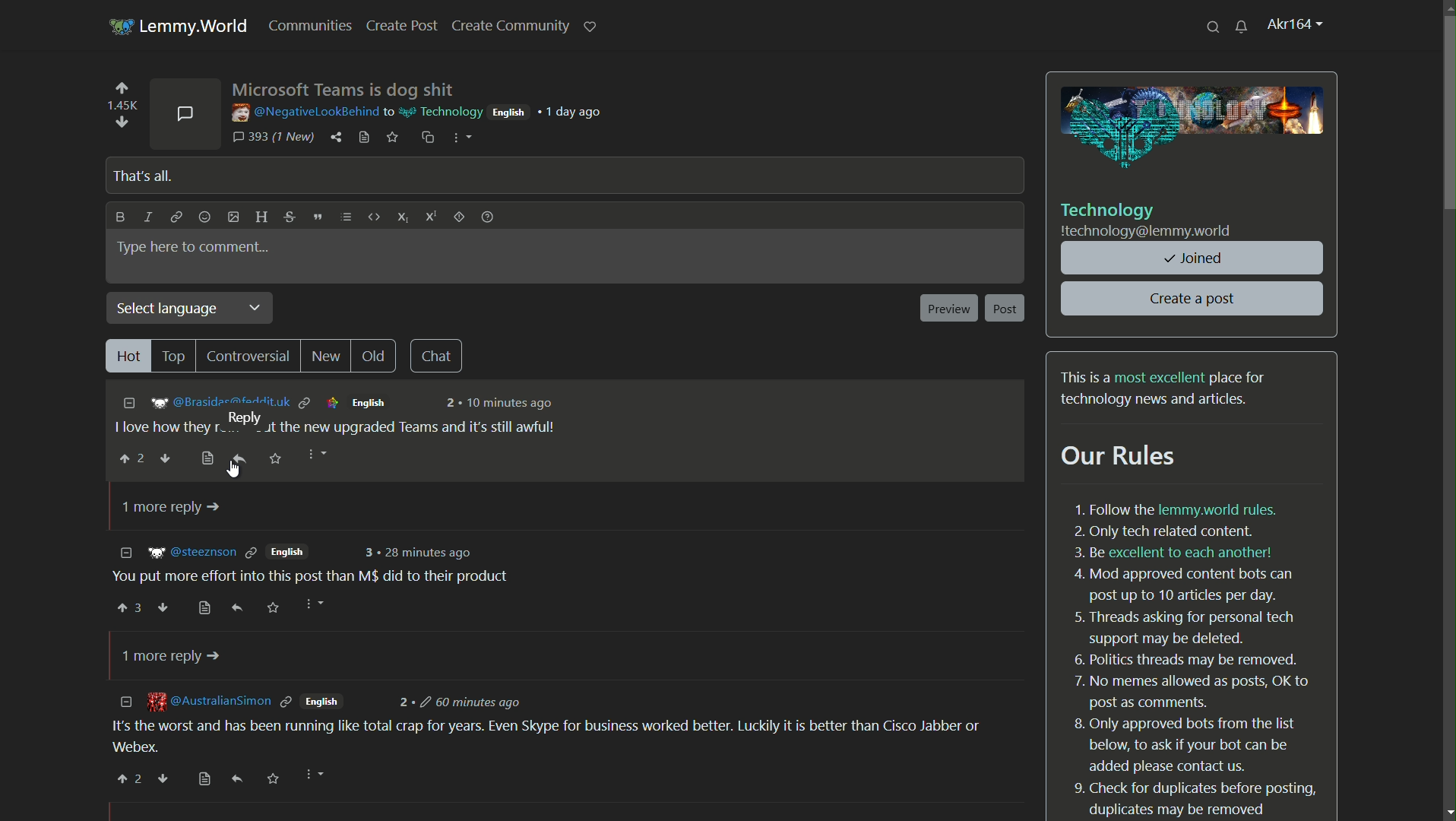 The width and height of the screenshot is (1456, 821). Describe the element at coordinates (508, 112) in the screenshot. I see `english` at that location.